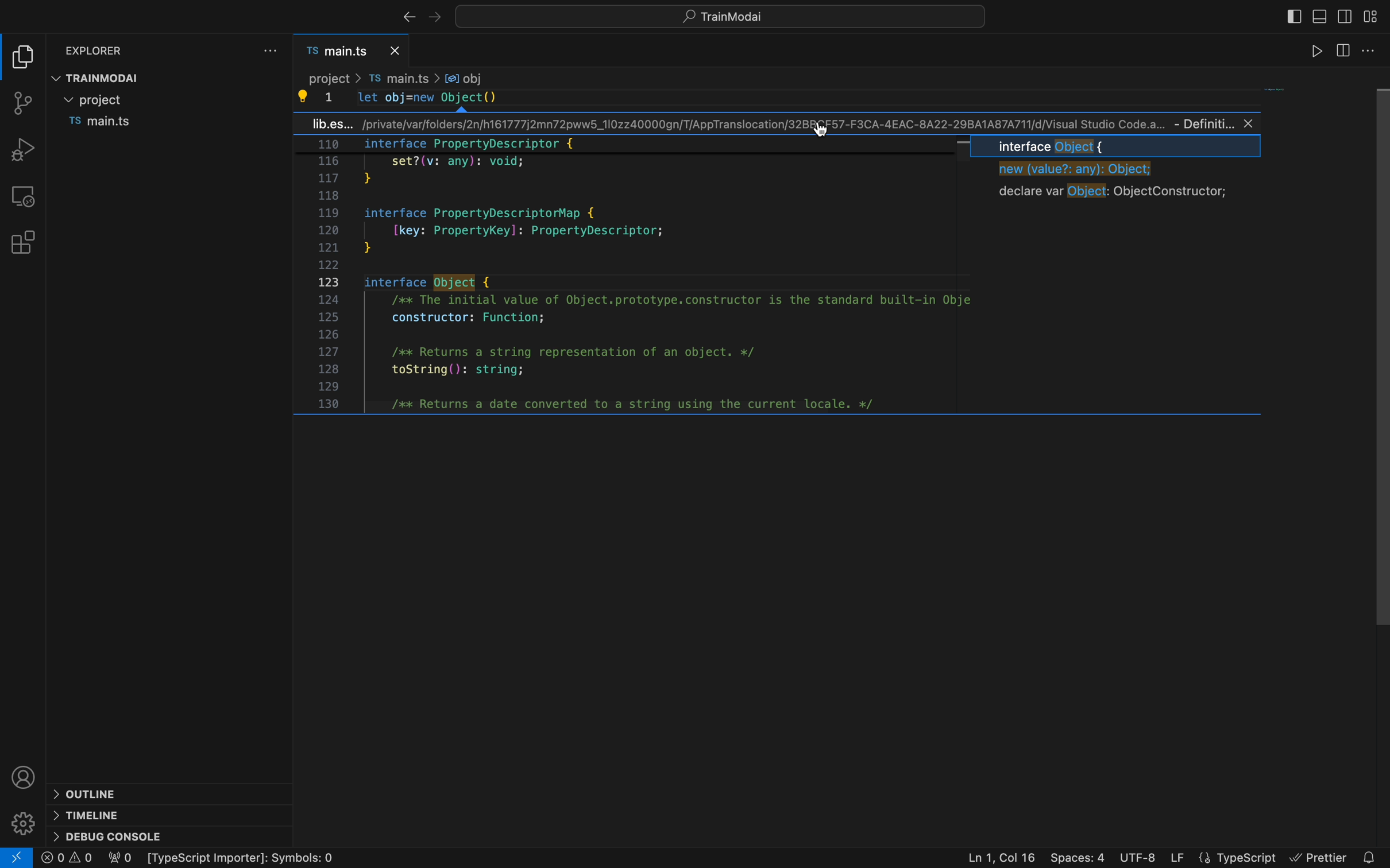  Describe the element at coordinates (1317, 21) in the screenshot. I see `TOGGLE PRIMARY` at that location.